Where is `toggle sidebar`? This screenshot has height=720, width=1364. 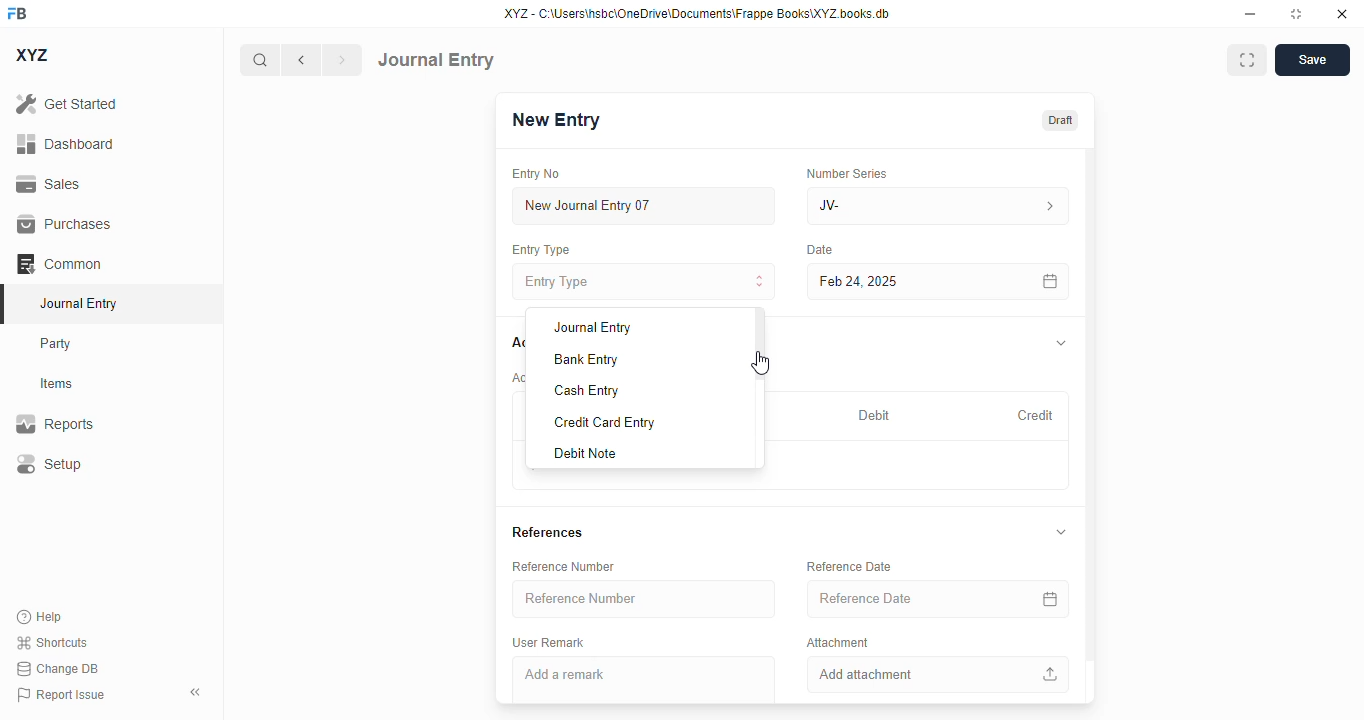 toggle sidebar is located at coordinates (197, 692).